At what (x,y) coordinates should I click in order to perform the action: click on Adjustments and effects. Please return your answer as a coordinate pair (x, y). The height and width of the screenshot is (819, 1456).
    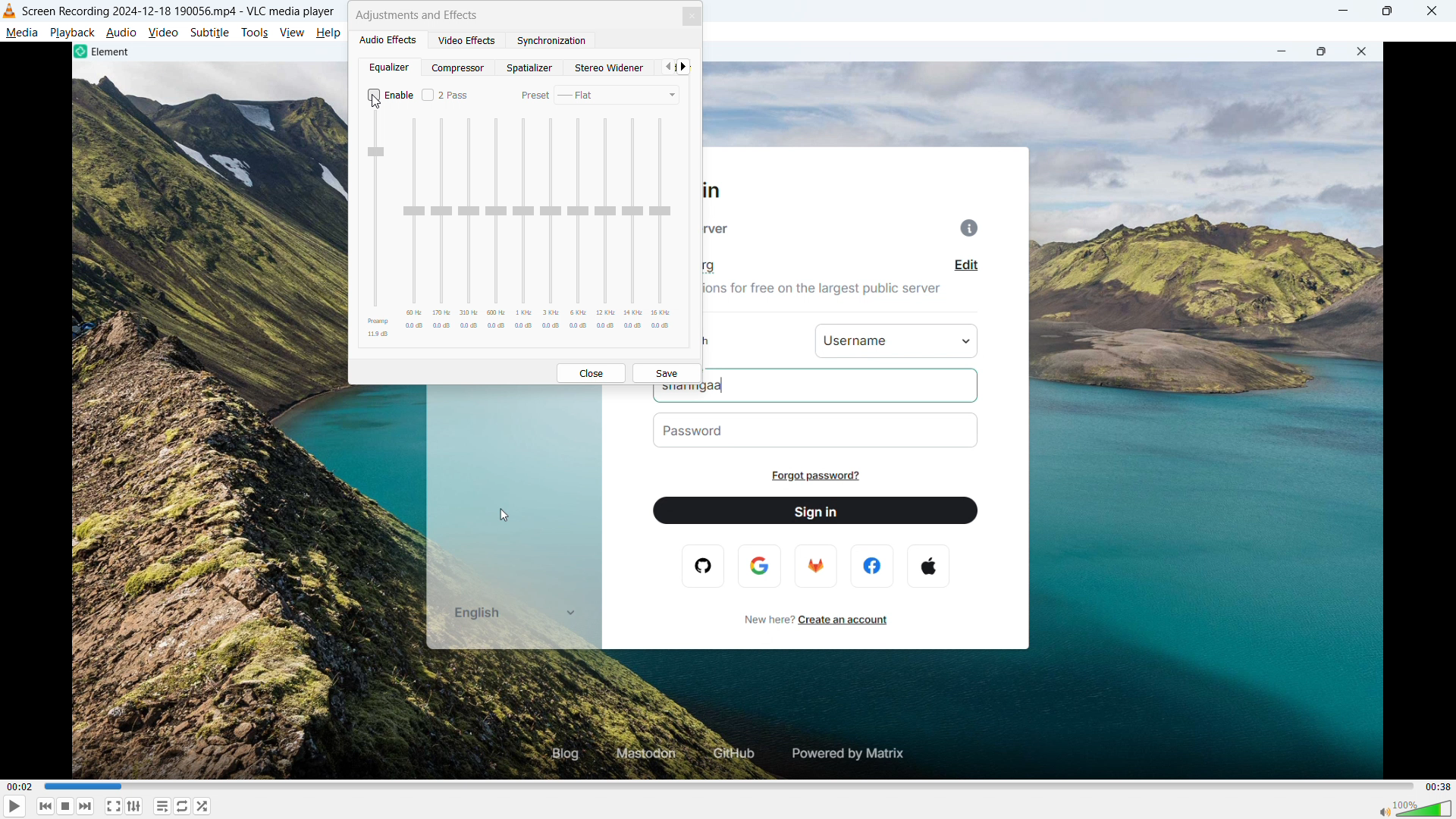
    Looking at the image, I should click on (417, 15).